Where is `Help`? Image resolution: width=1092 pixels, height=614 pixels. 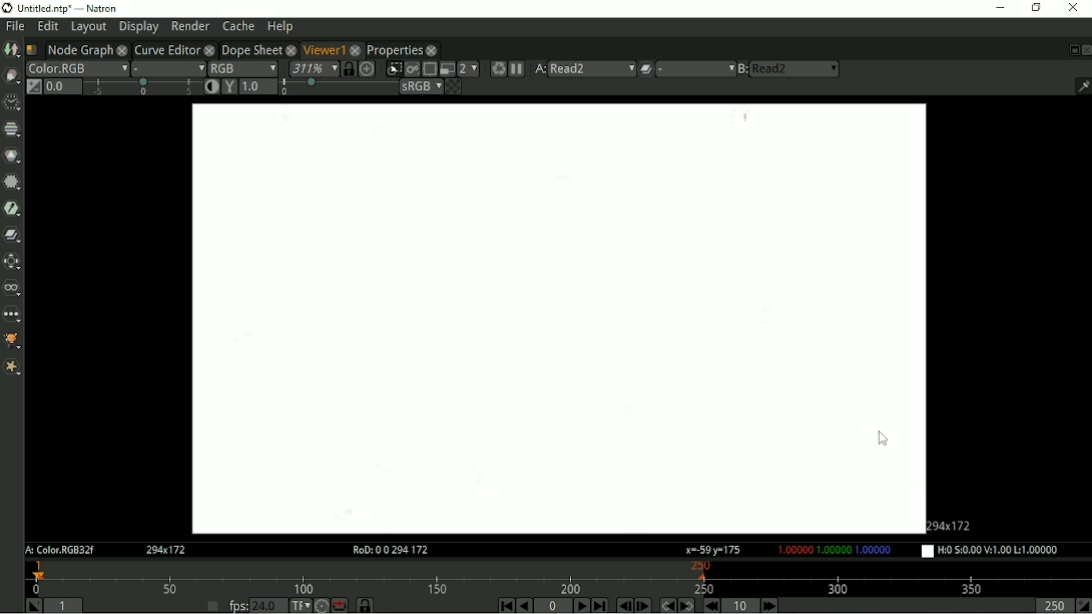
Help is located at coordinates (281, 26).